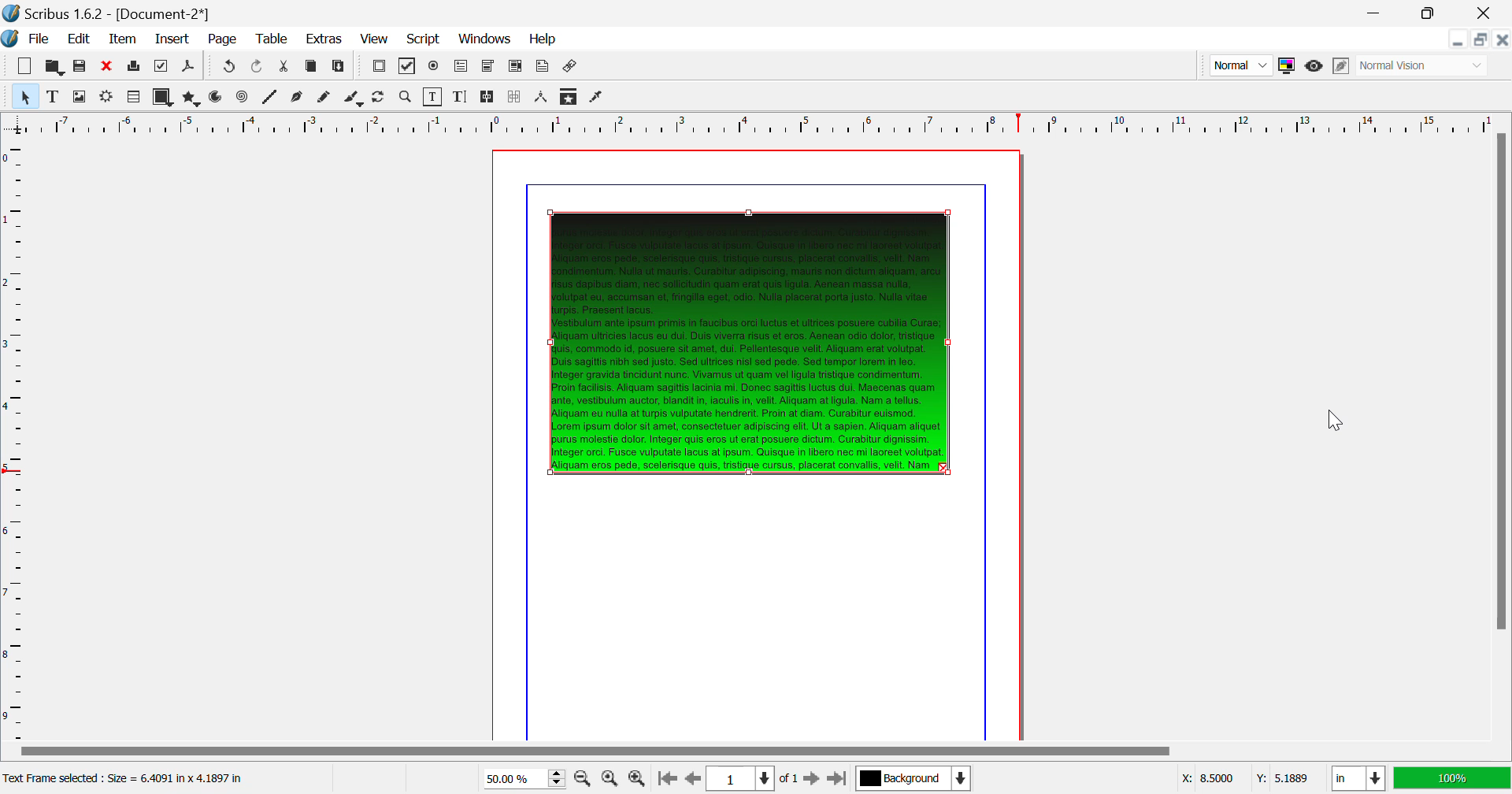 Image resolution: width=1512 pixels, height=794 pixels. What do you see at coordinates (836, 779) in the screenshot?
I see `Last Page` at bounding box center [836, 779].